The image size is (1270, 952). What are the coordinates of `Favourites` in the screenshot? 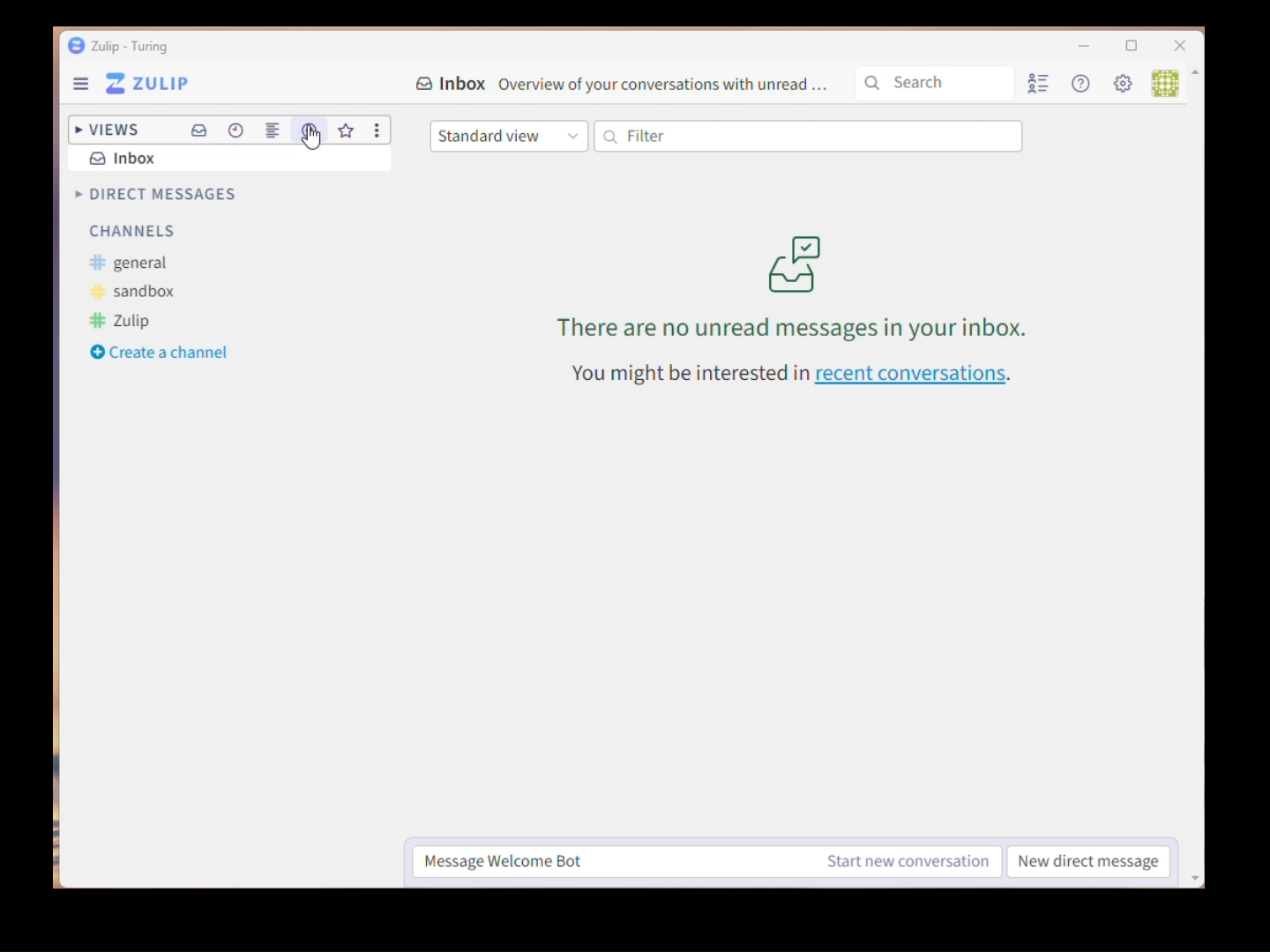 It's located at (347, 131).